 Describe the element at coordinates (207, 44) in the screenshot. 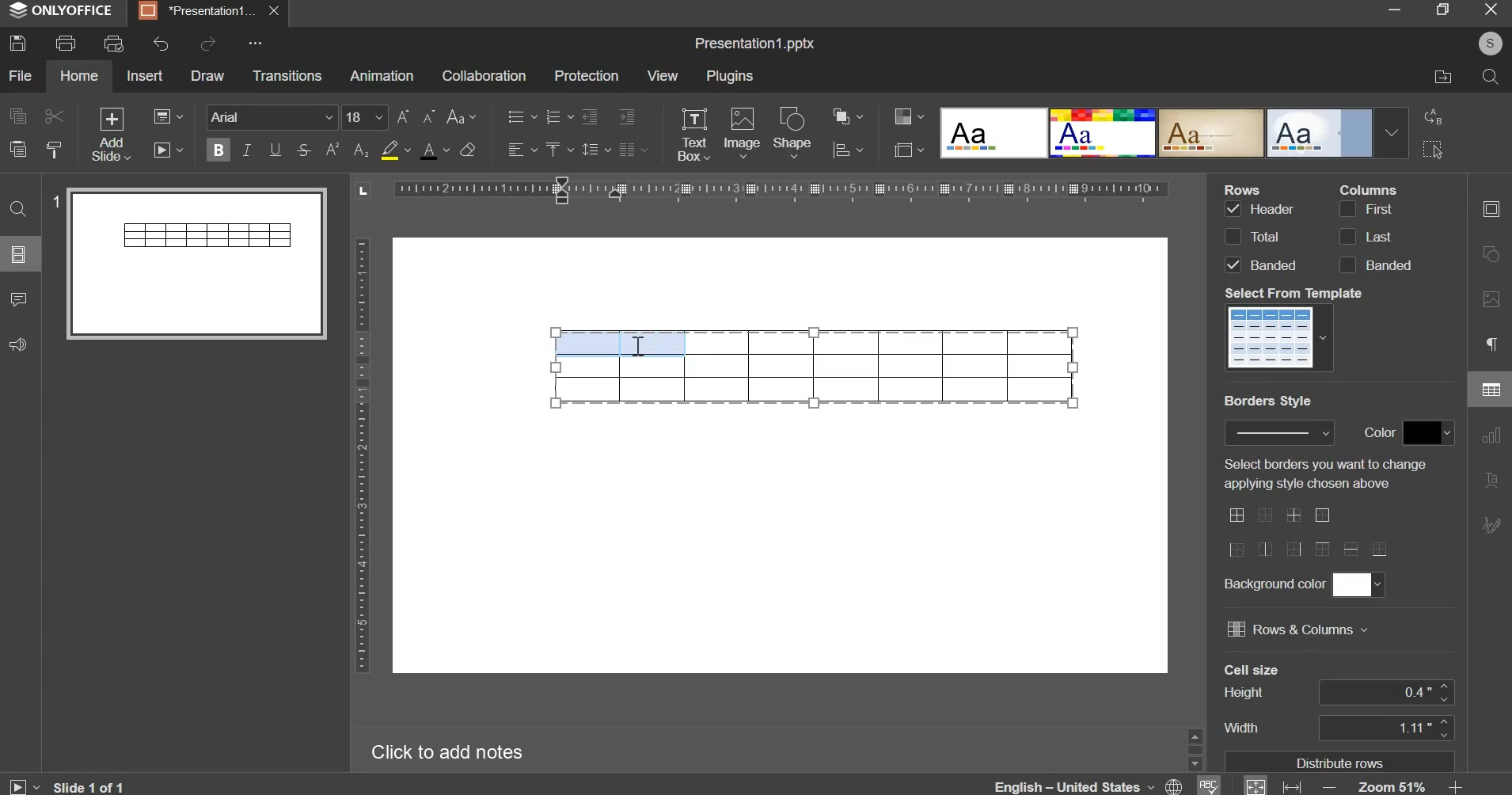

I see `redo` at that location.